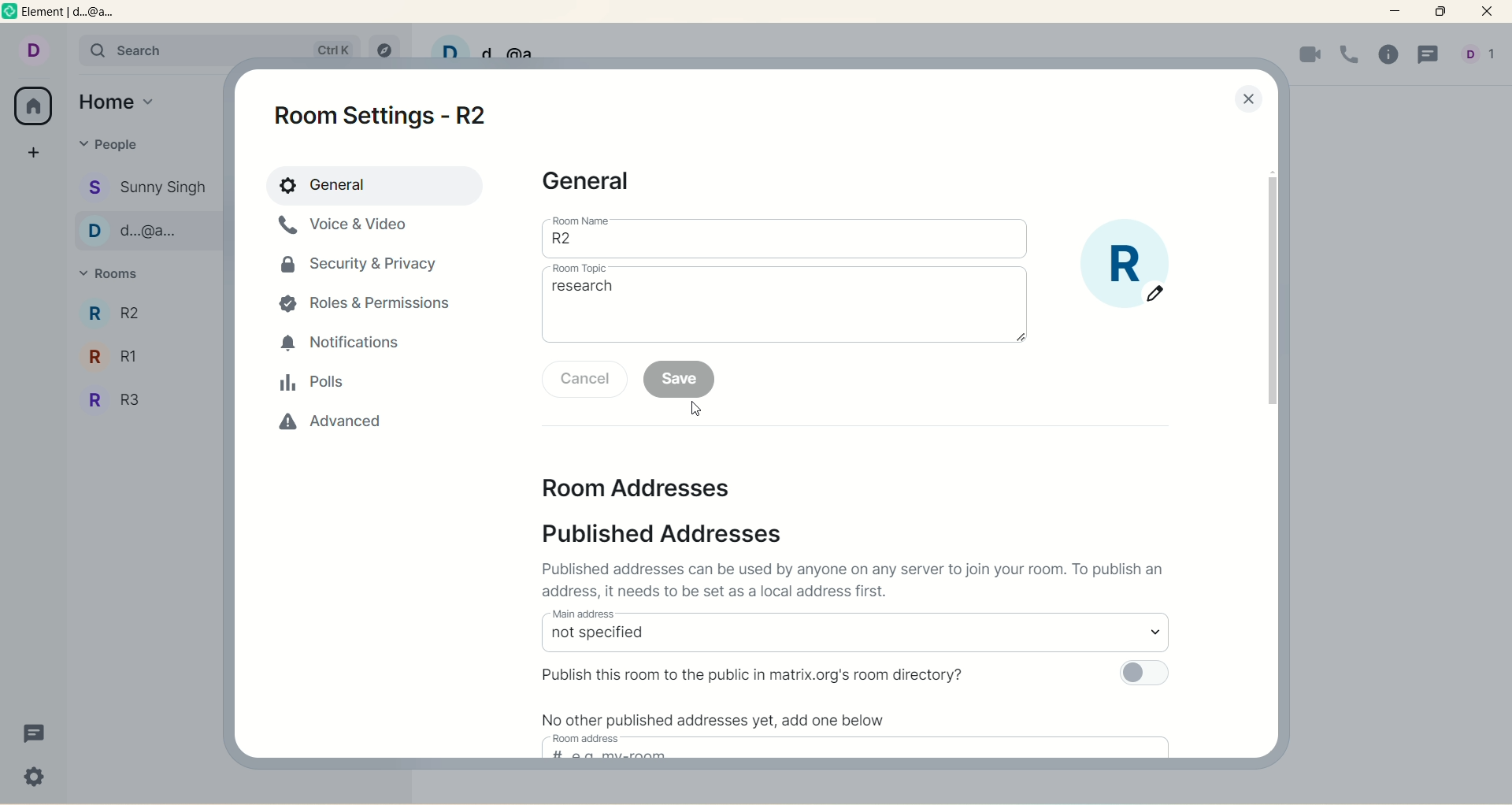  I want to click on room topic, so click(787, 310).